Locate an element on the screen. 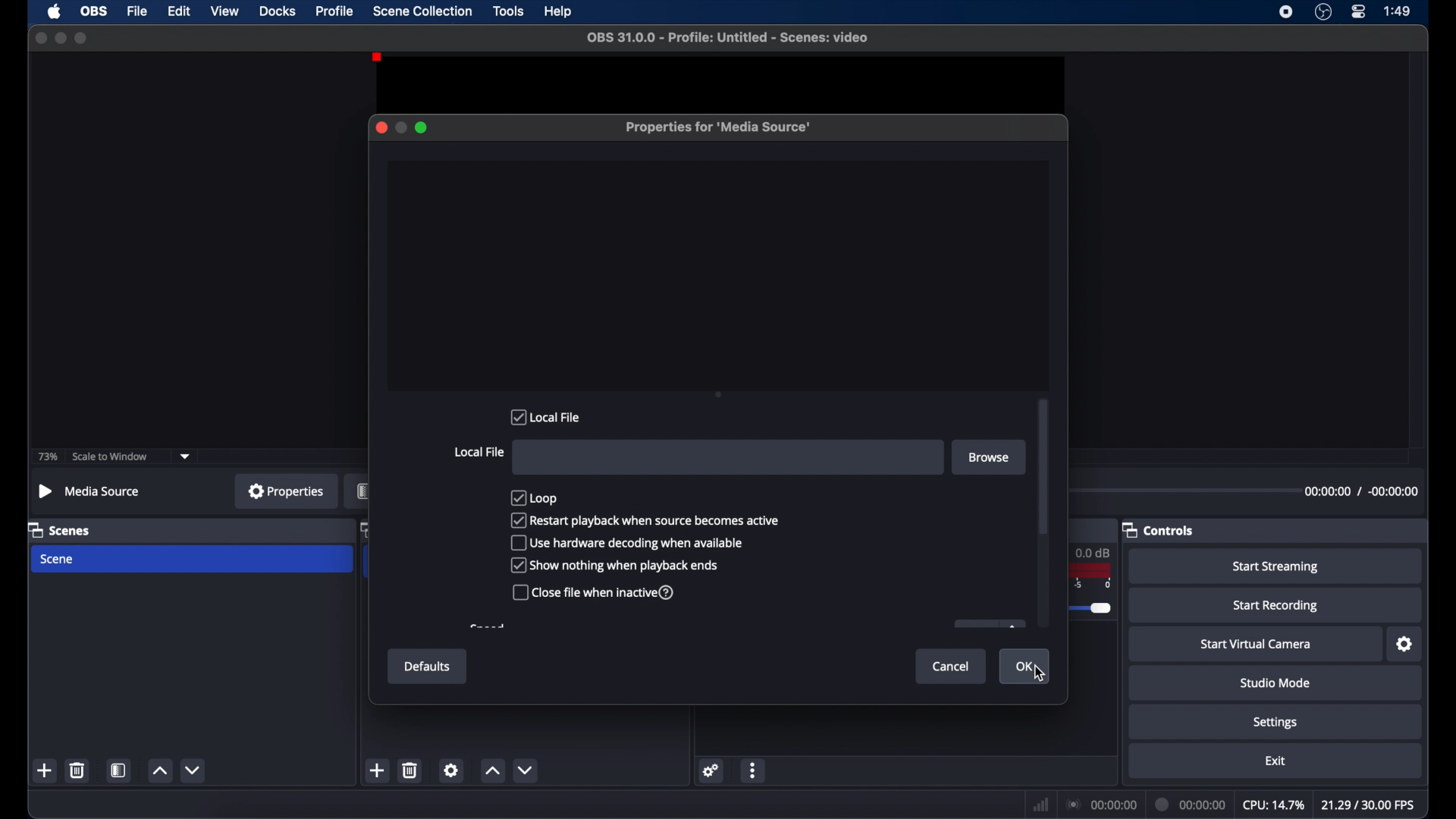 The image size is (1456, 819). more options is located at coordinates (755, 770).